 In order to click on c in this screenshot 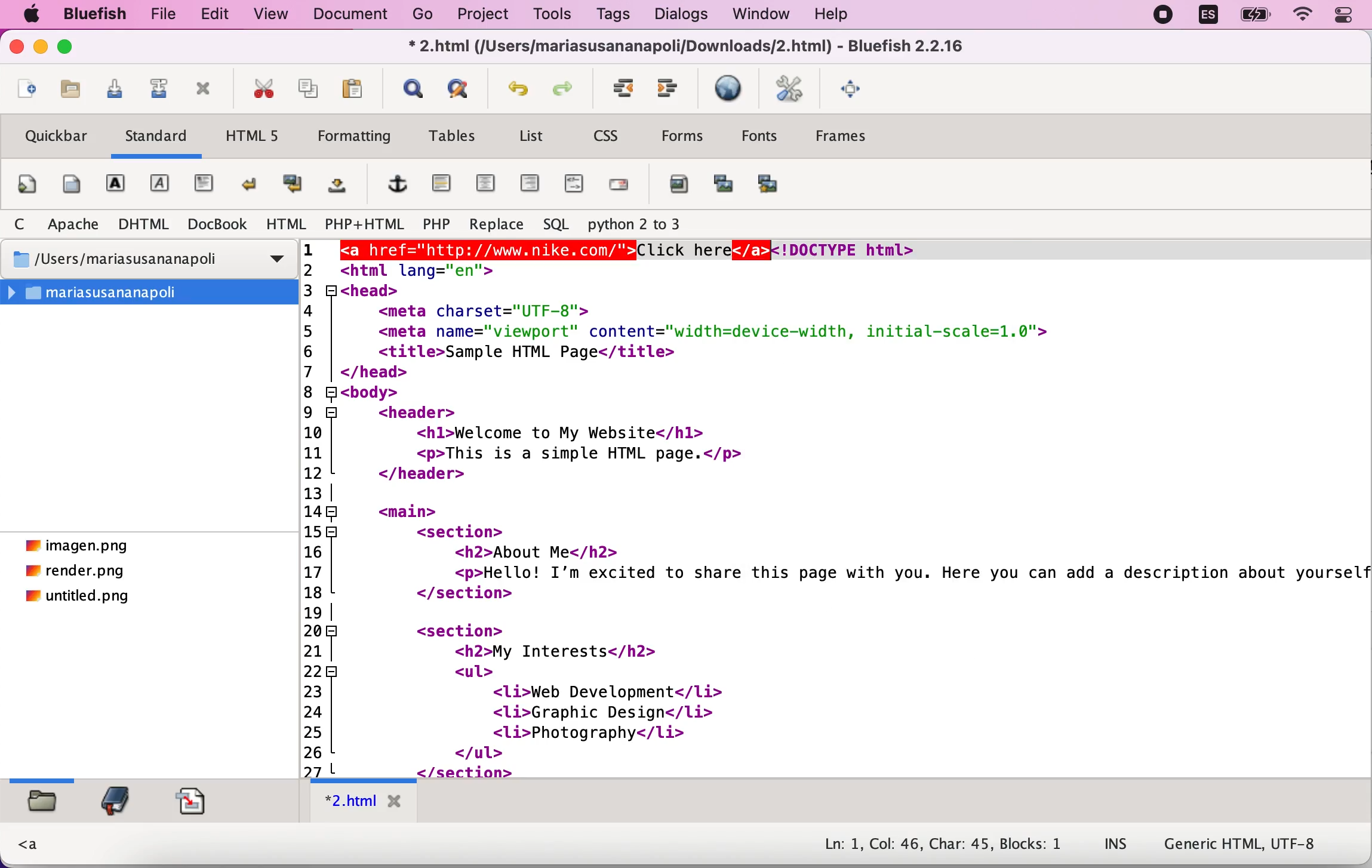, I will do `click(20, 224)`.